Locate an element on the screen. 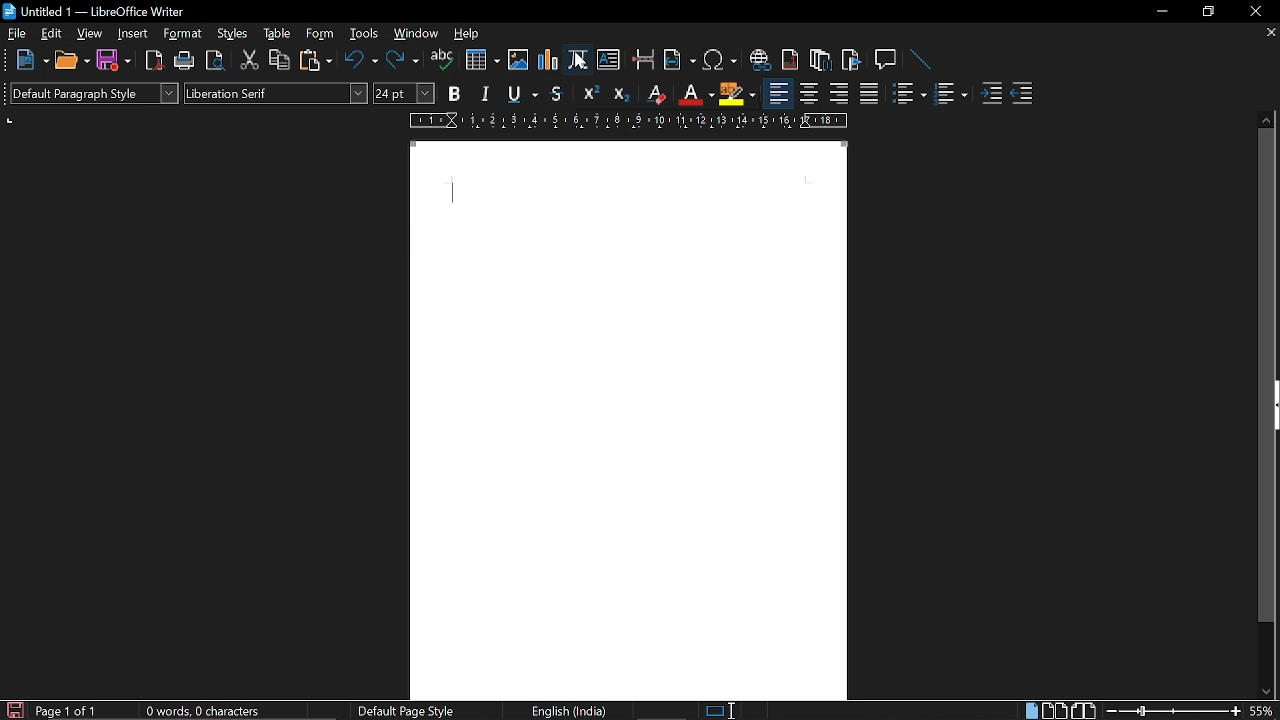 The height and width of the screenshot is (720, 1280). format is located at coordinates (184, 34).